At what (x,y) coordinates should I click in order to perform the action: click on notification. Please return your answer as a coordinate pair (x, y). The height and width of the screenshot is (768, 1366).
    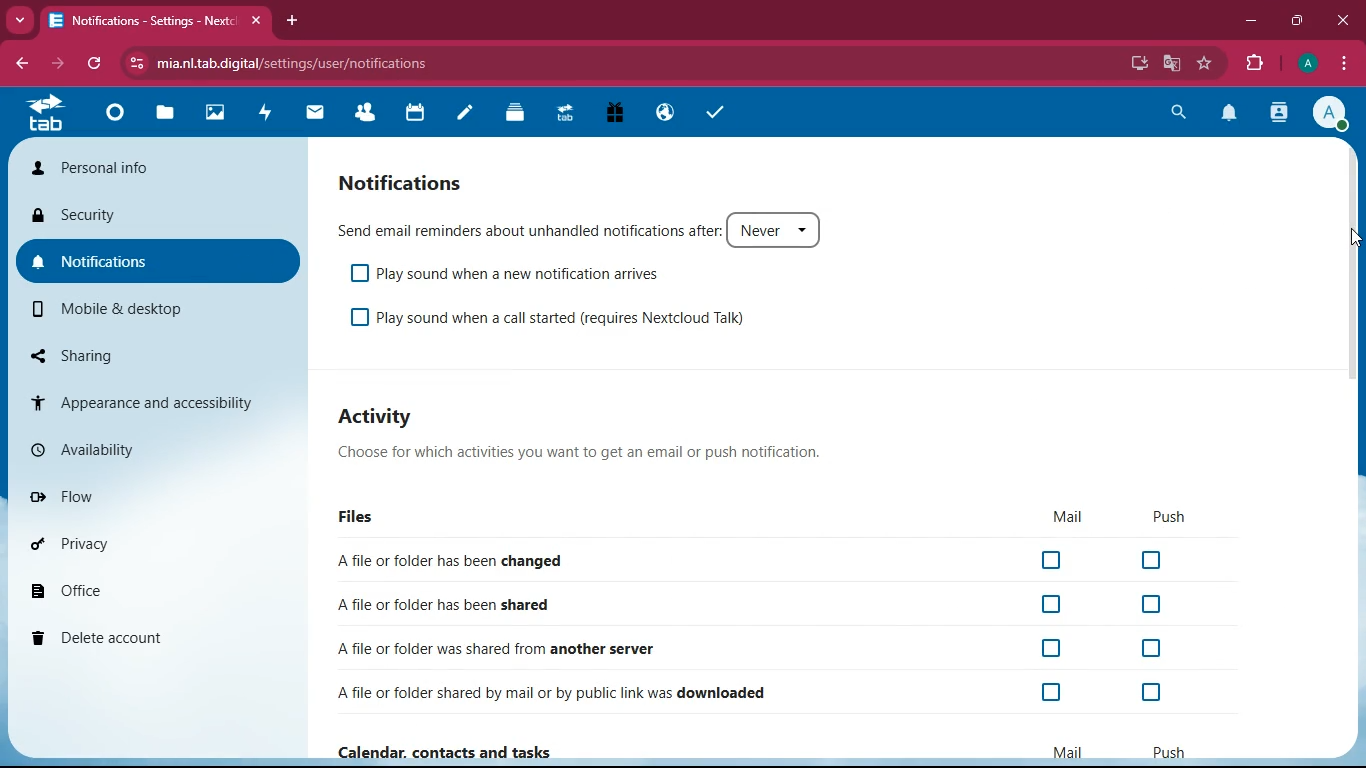
    Looking at the image, I should click on (1230, 114).